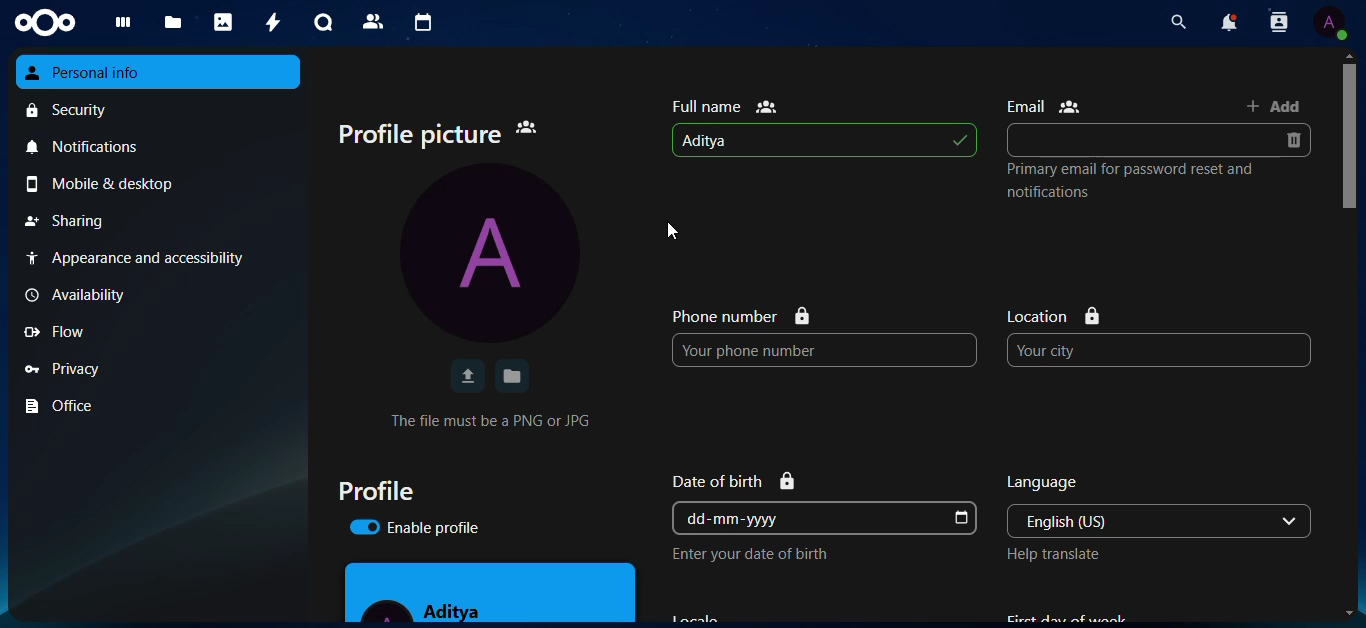 The width and height of the screenshot is (1366, 628). Describe the element at coordinates (159, 221) in the screenshot. I see `sharing` at that location.